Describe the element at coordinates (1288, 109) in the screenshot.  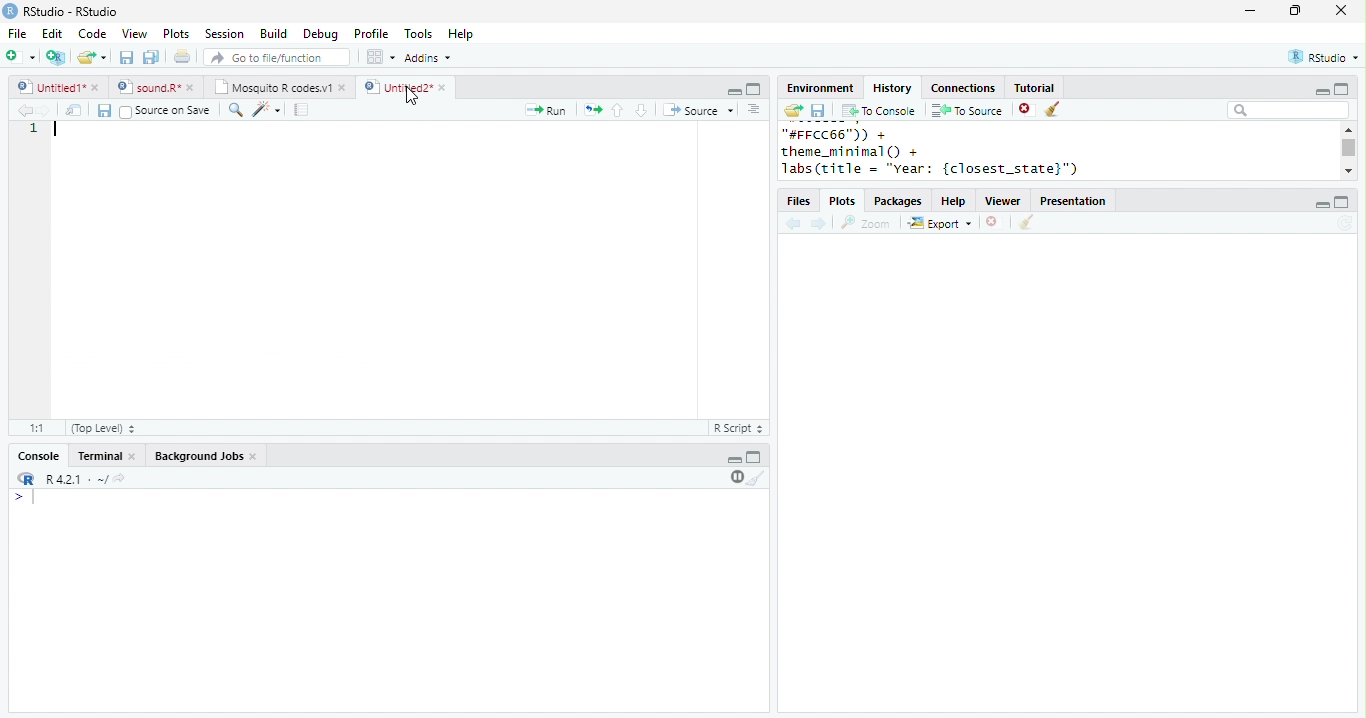
I see `search bar` at that location.